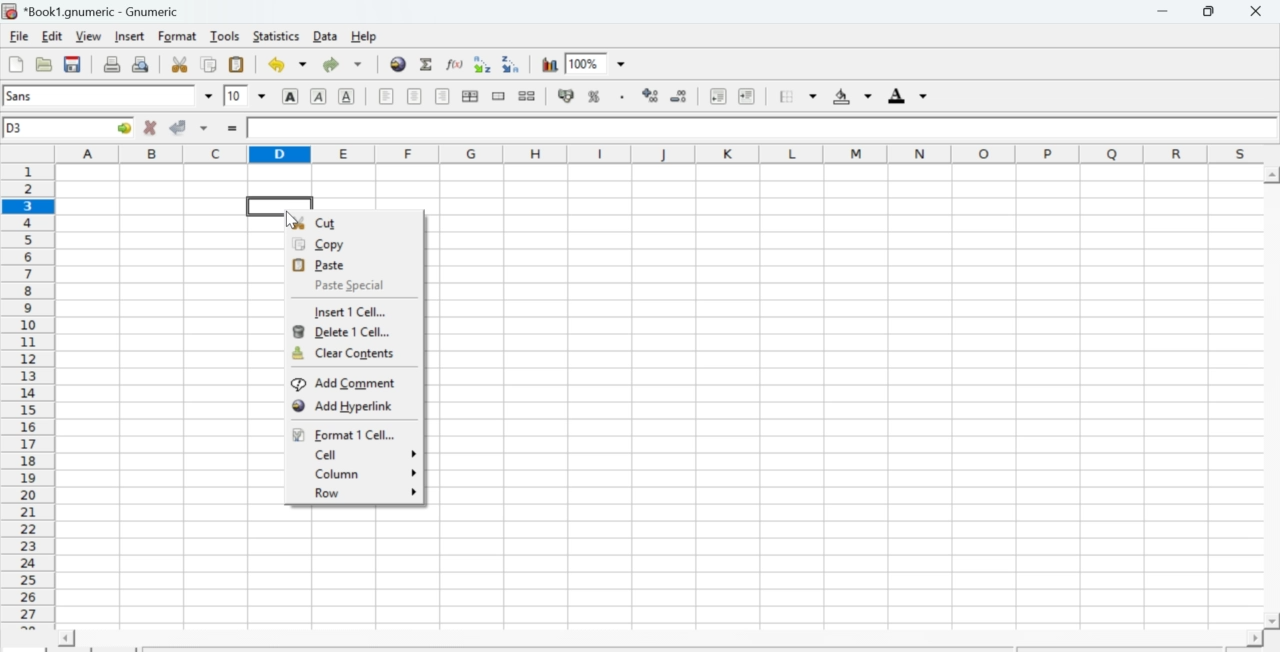 This screenshot has height=652, width=1280. I want to click on Active cell, so click(70, 128).